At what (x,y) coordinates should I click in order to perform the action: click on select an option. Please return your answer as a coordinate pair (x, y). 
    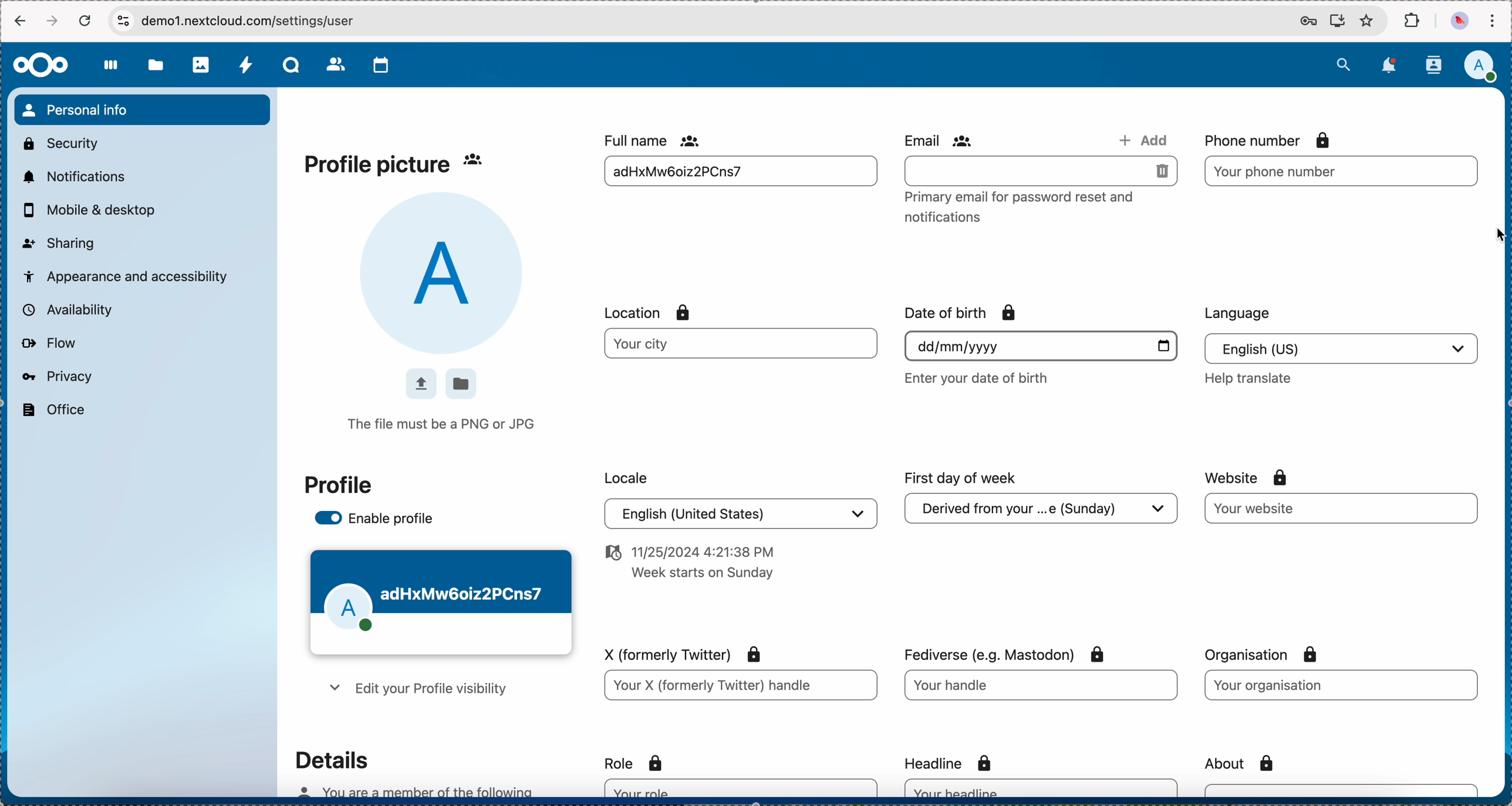
    Looking at the image, I should click on (1042, 510).